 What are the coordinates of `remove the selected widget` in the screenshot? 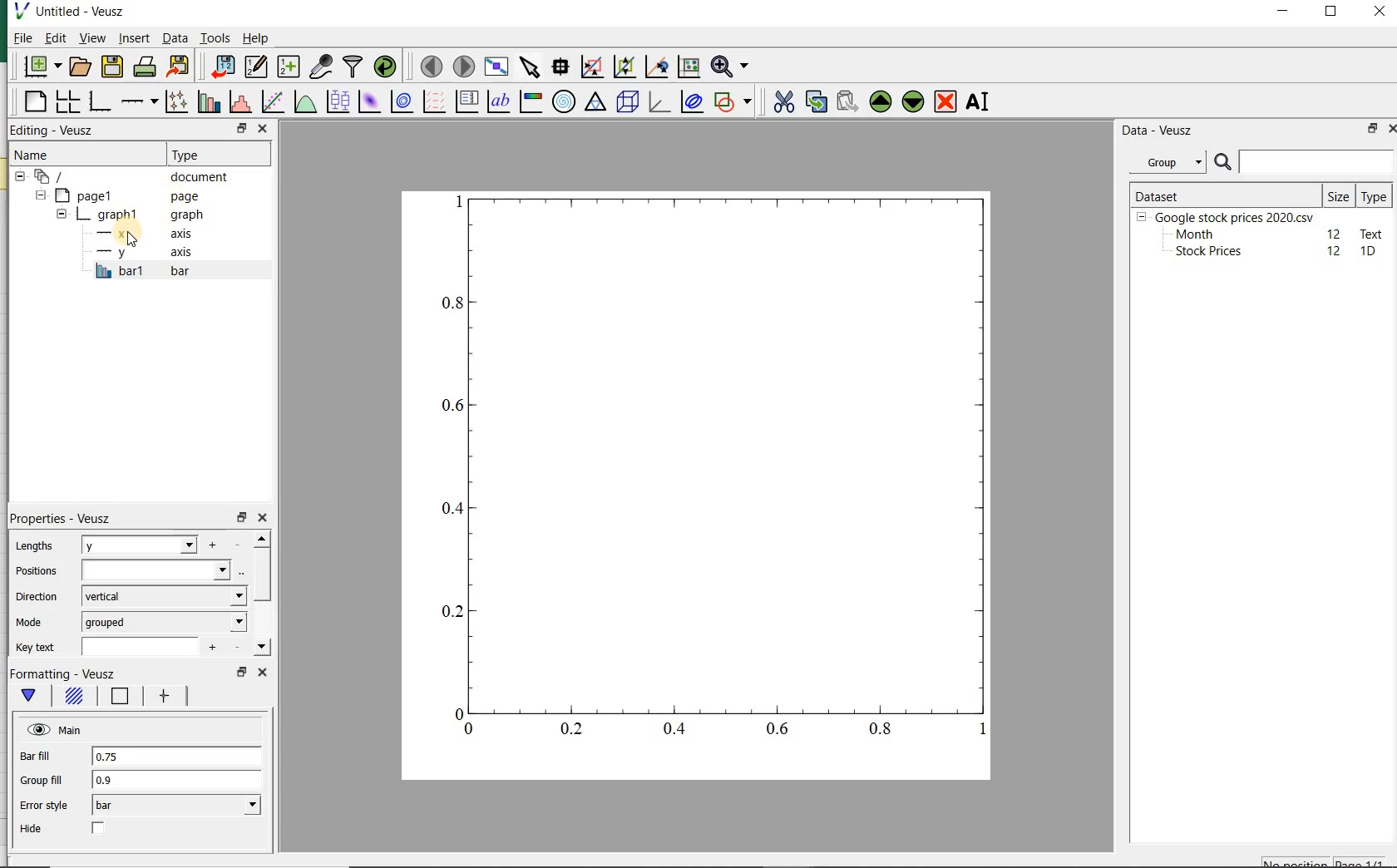 It's located at (946, 101).